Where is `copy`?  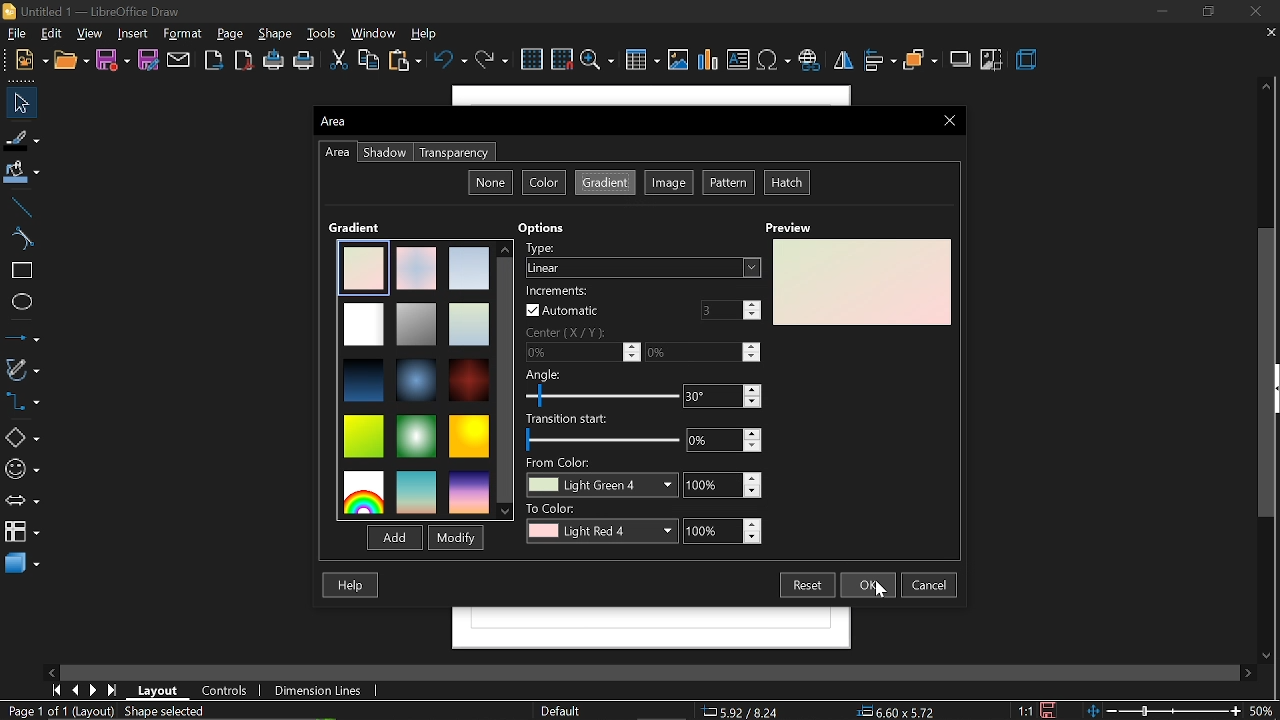 copy is located at coordinates (370, 61).